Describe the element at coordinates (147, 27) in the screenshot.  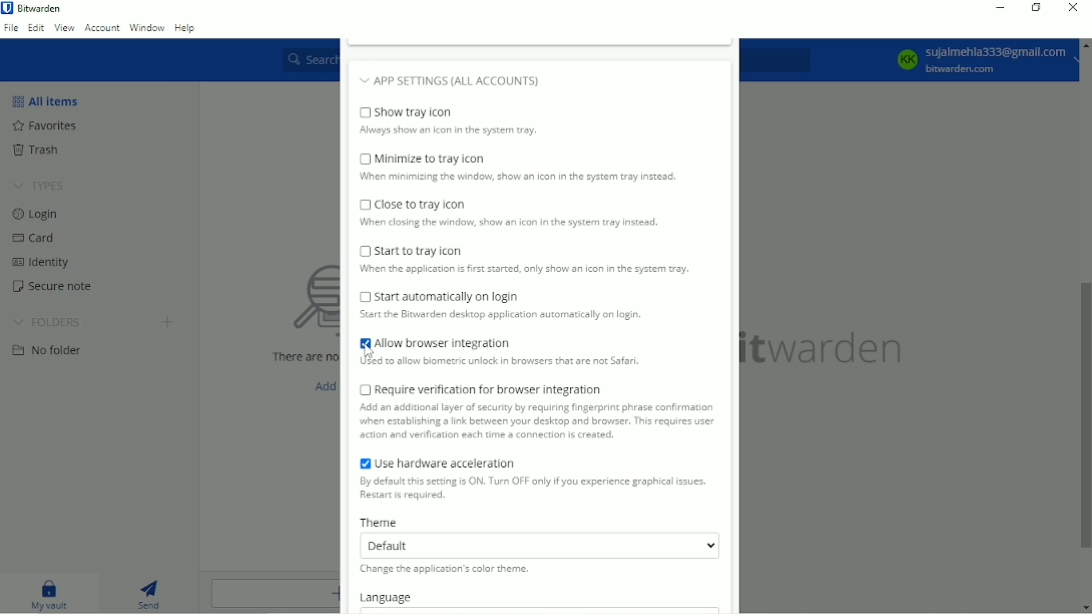
I see `Window` at that location.